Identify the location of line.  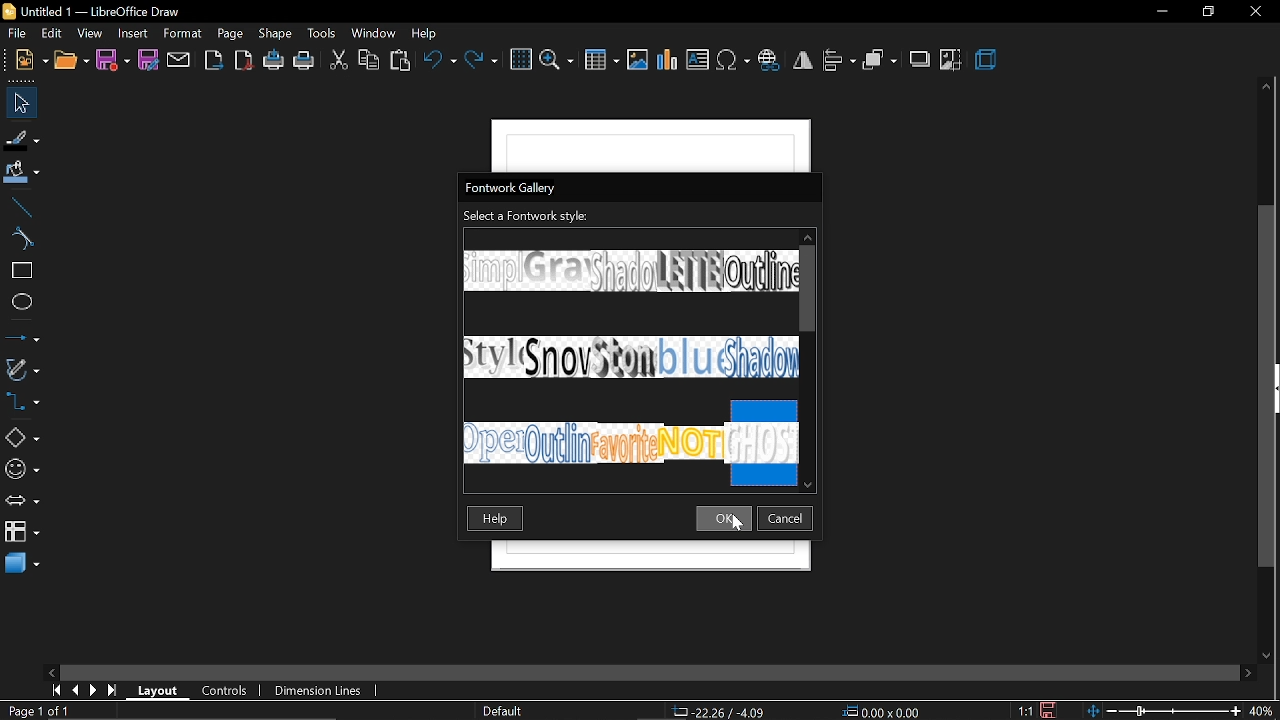
(18, 206).